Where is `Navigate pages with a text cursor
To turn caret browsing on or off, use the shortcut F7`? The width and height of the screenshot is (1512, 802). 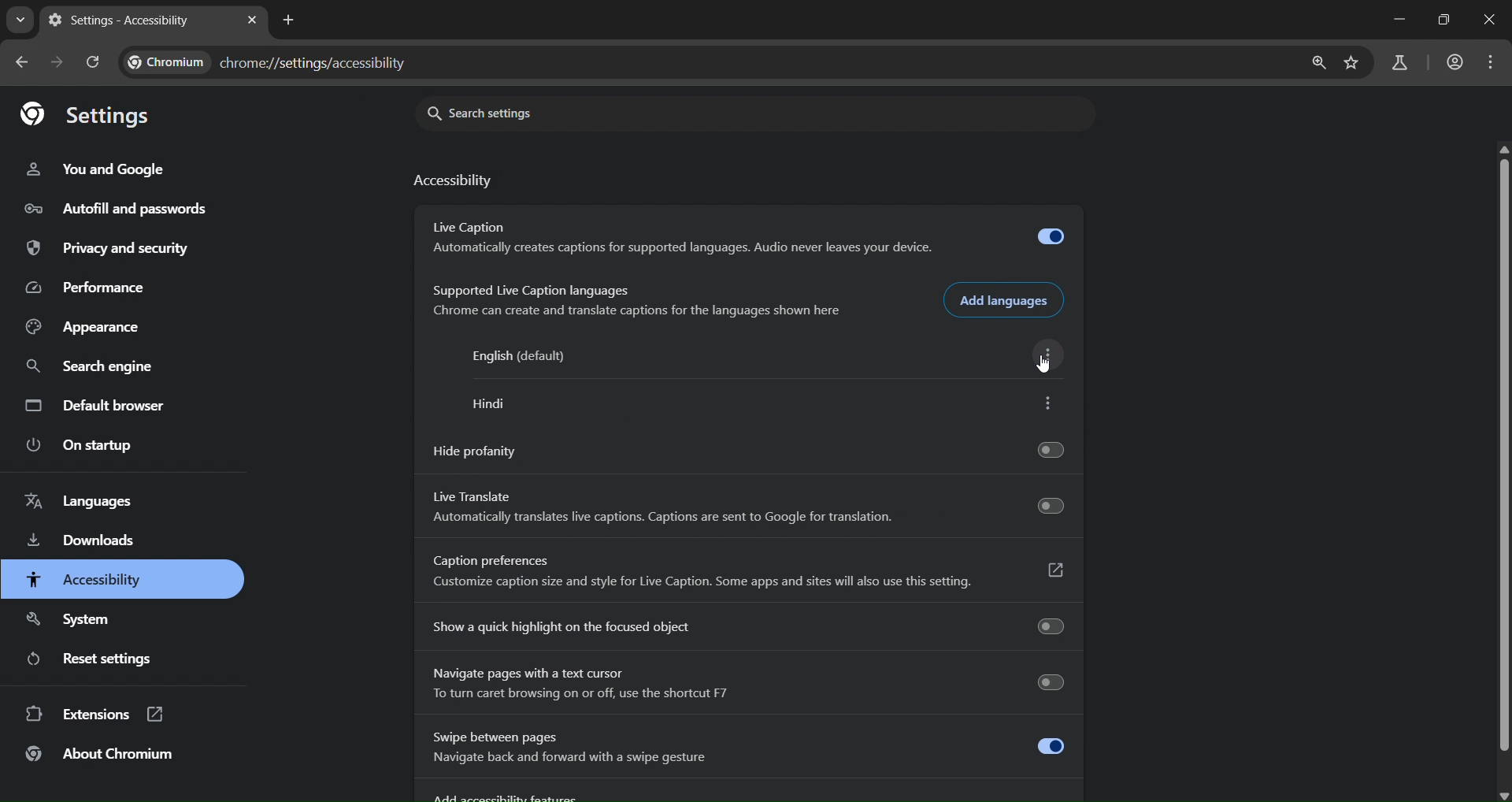 Navigate pages with a text cursor
To turn caret browsing on or off, use the shortcut F7 is located at coordinates (742, 684).